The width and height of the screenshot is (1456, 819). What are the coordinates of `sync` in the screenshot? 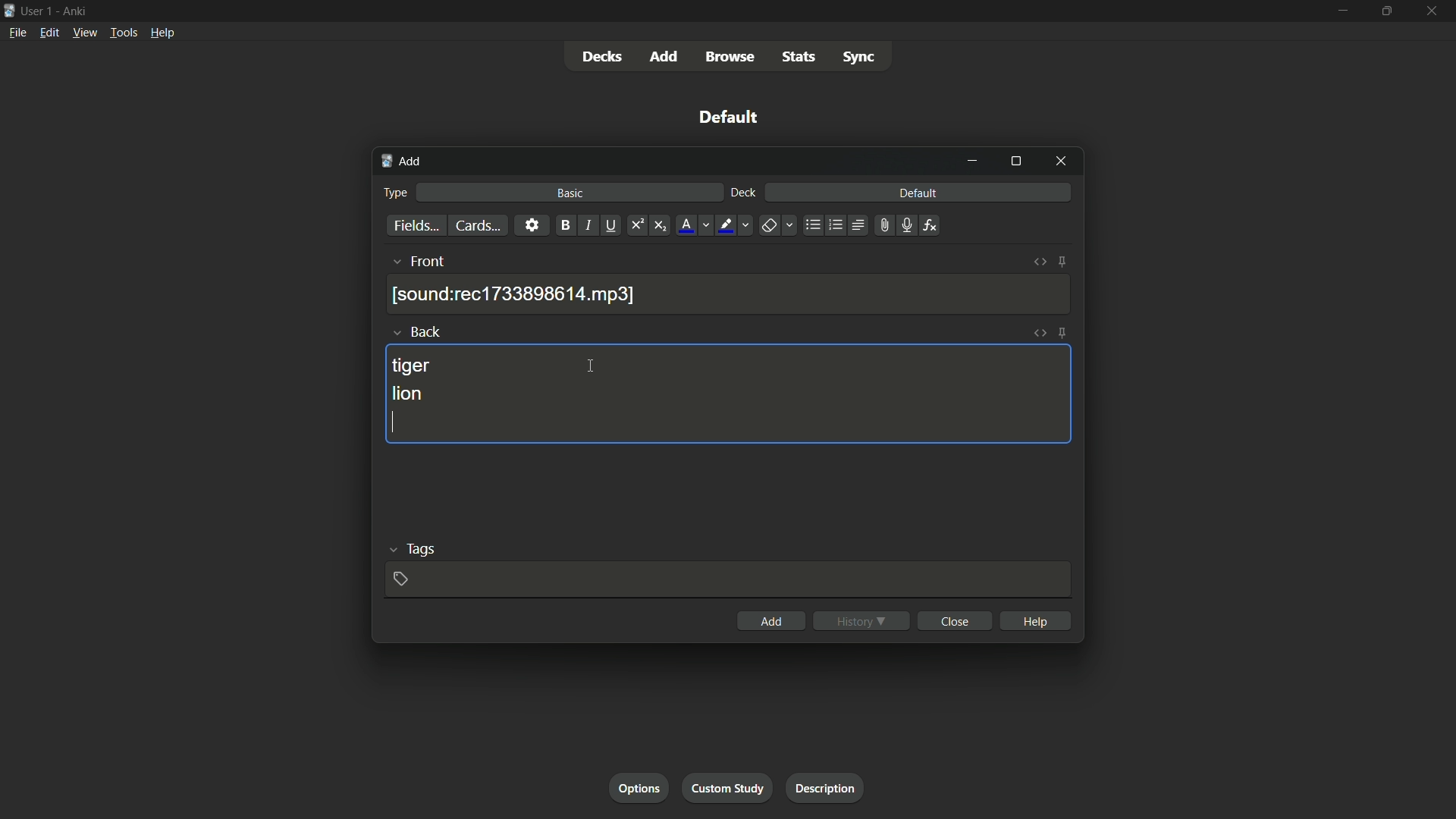 It's located at (858, 59).